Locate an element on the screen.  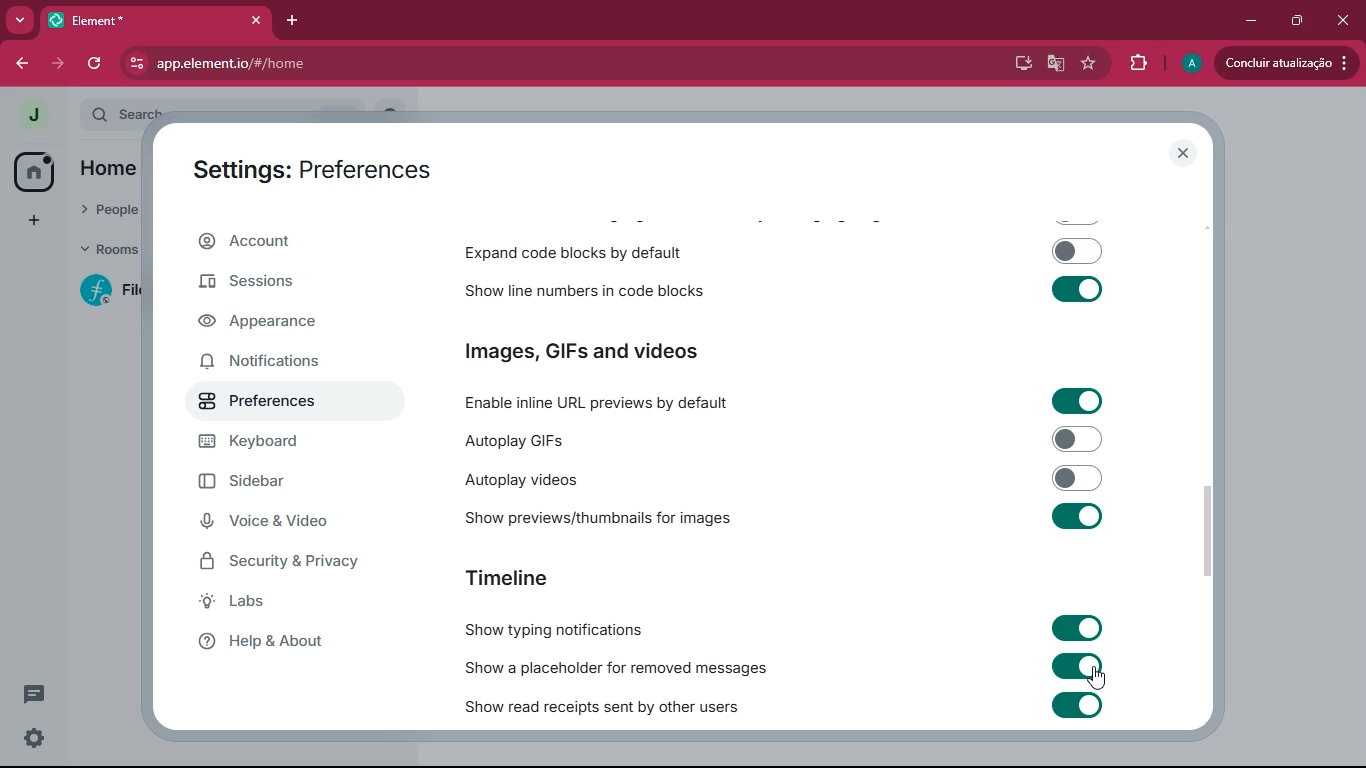
toggle on/off is located at coordinates (1077, 515).